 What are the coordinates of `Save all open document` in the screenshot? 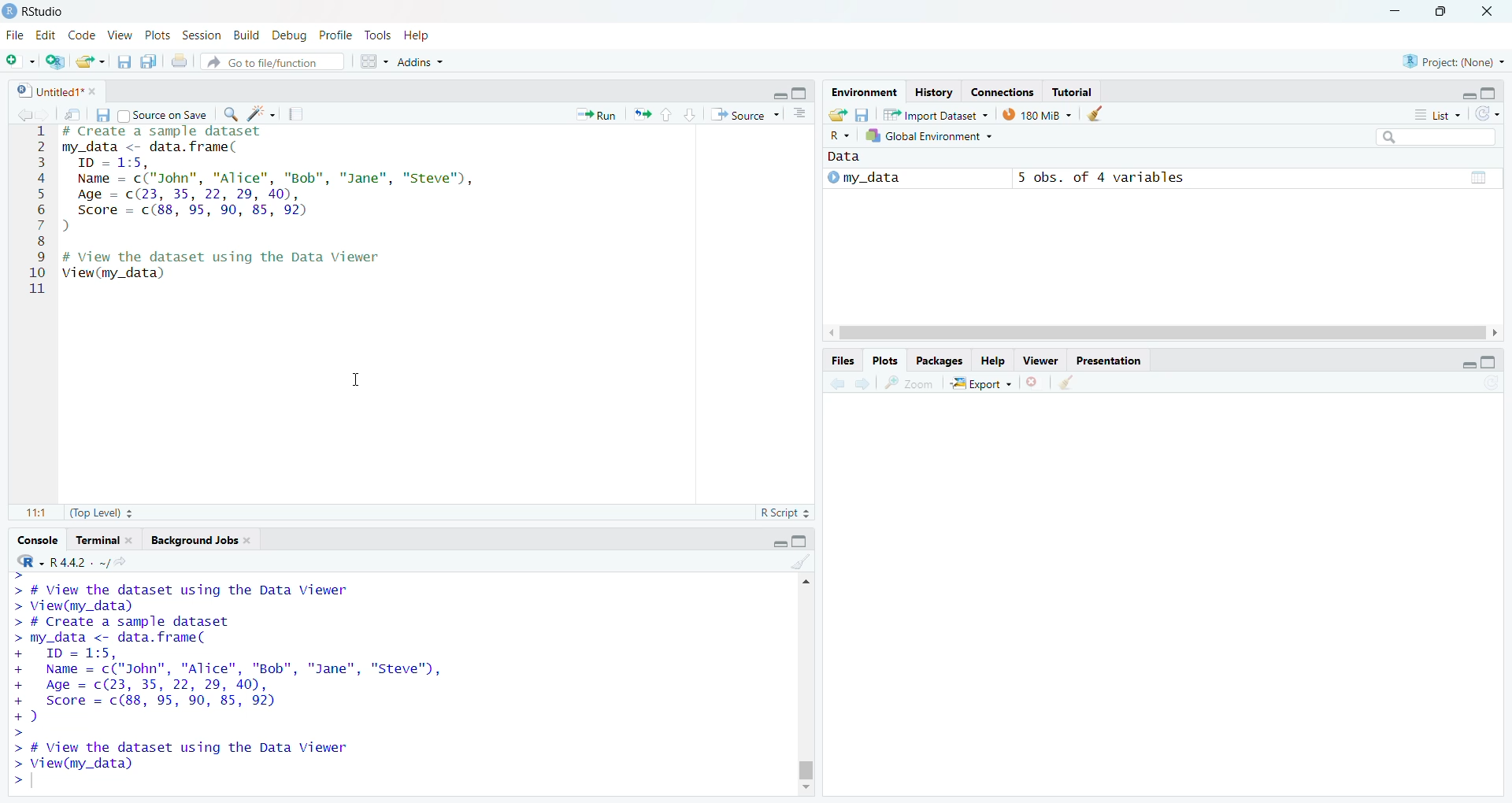 It's located at (151, 64).